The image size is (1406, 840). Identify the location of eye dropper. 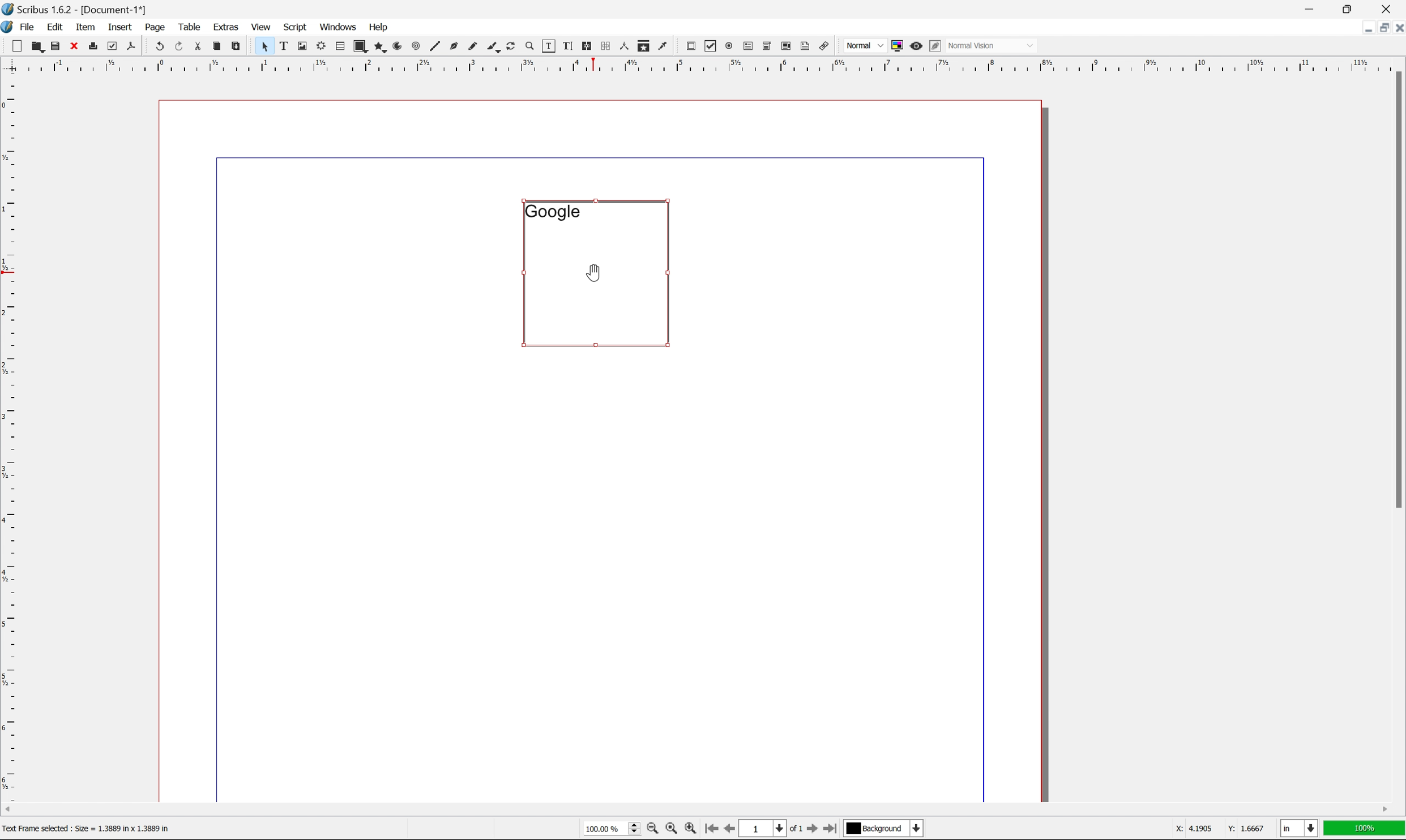
(663, 45).